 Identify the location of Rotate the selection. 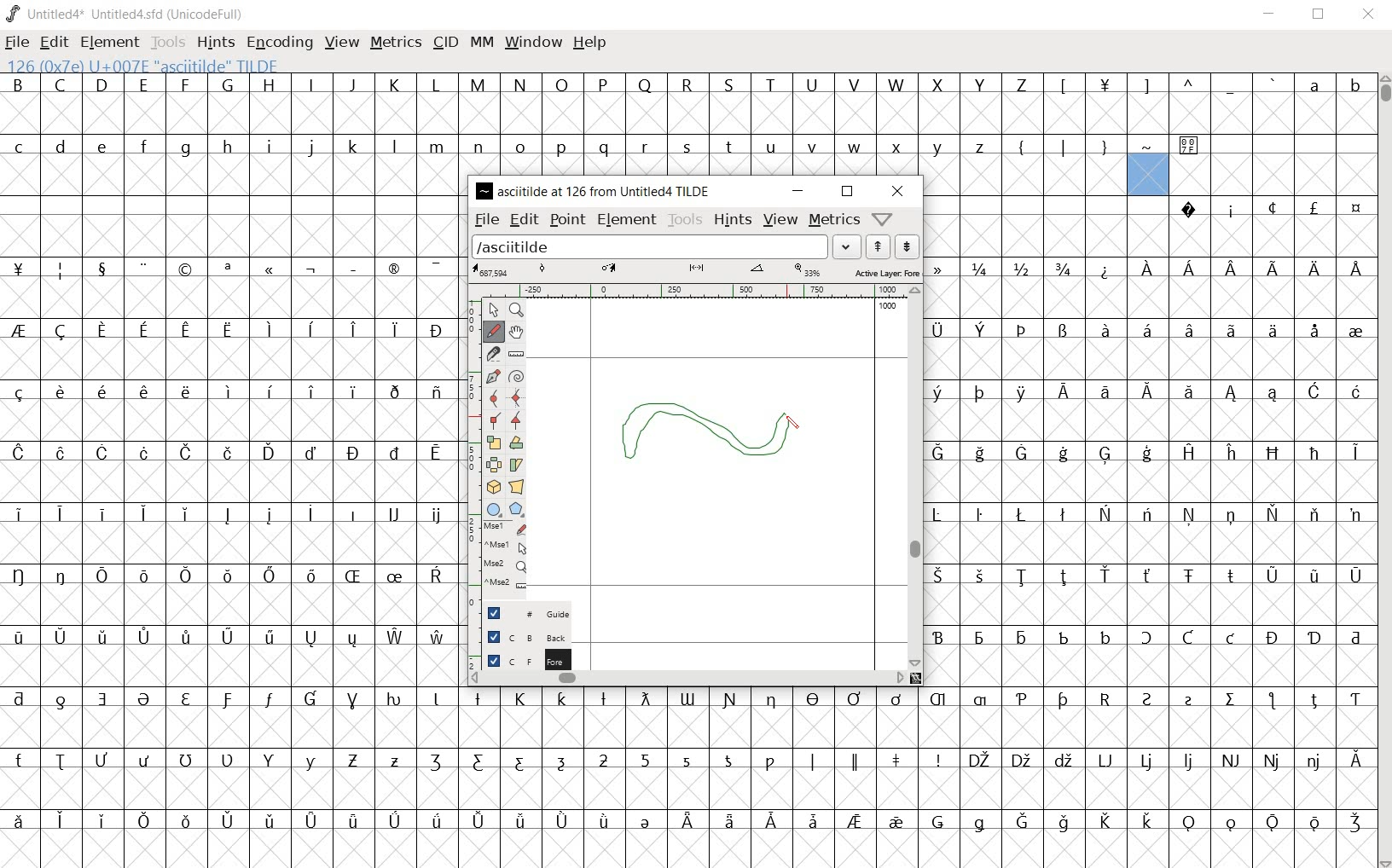
(515, 445).